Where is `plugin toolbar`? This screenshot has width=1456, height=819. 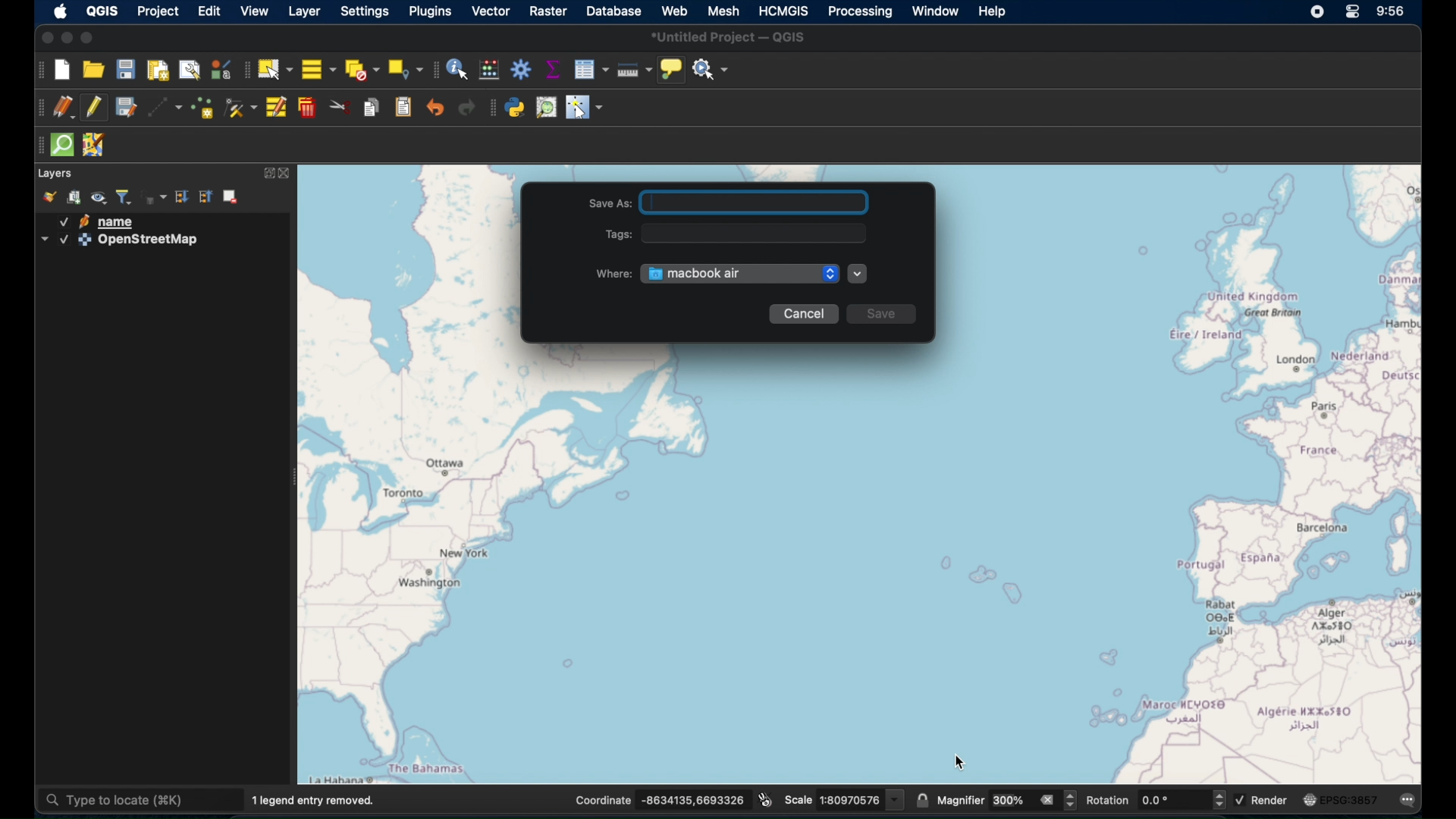
plugin toolbar is located at coordinates (491, 109).